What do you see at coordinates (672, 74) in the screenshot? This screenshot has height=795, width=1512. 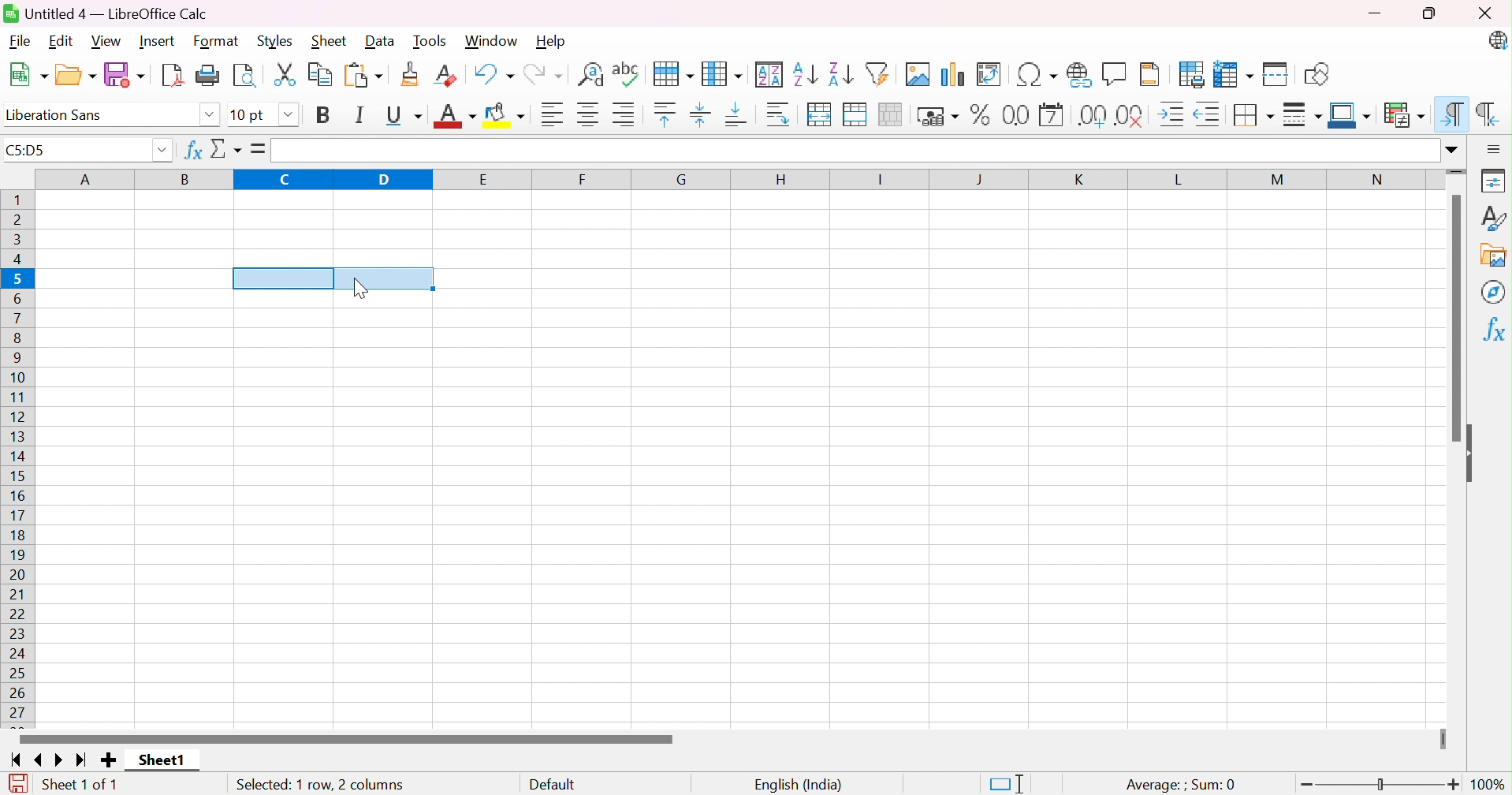 I see `Row` at bounding box center [672, 74].